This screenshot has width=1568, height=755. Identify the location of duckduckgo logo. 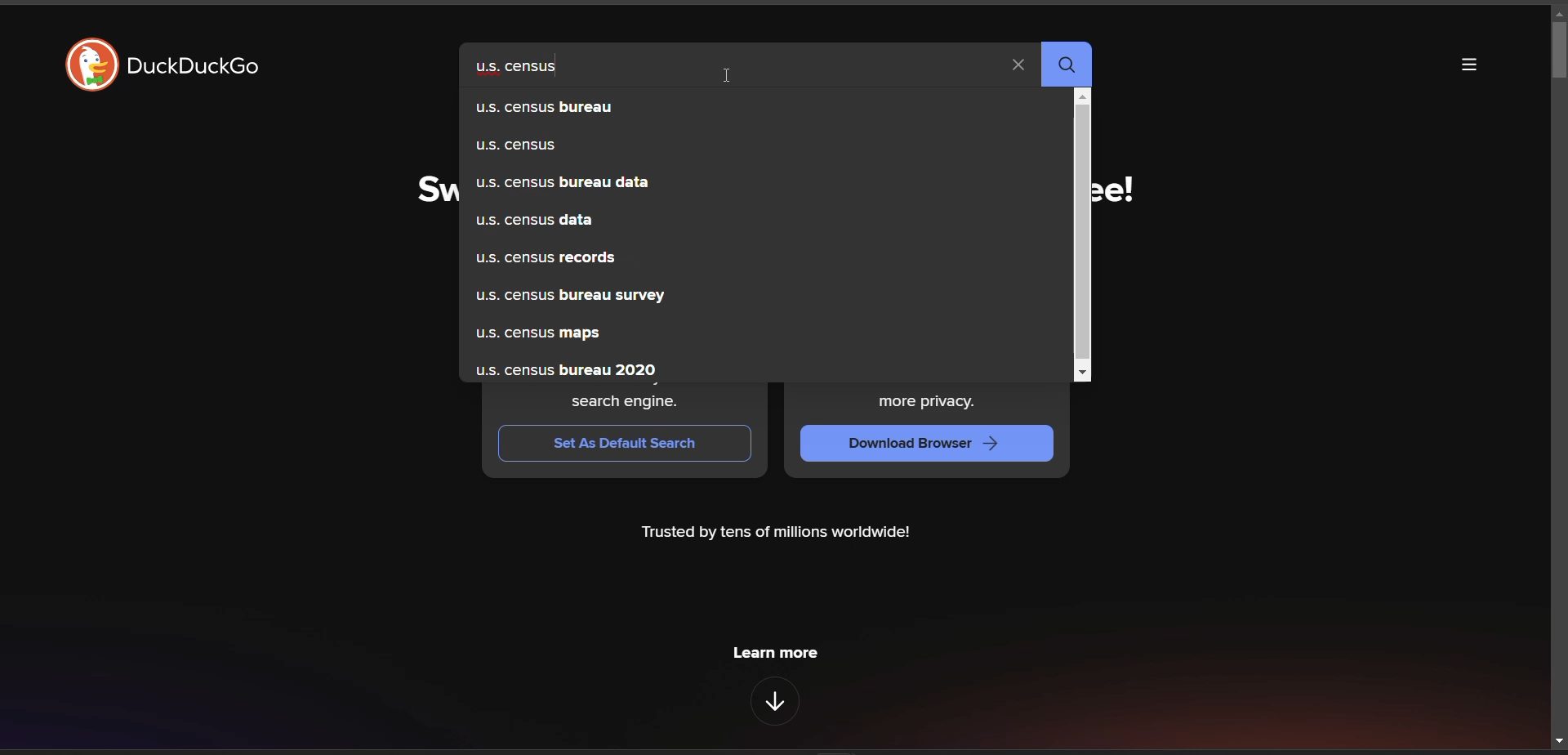
(91, 64).